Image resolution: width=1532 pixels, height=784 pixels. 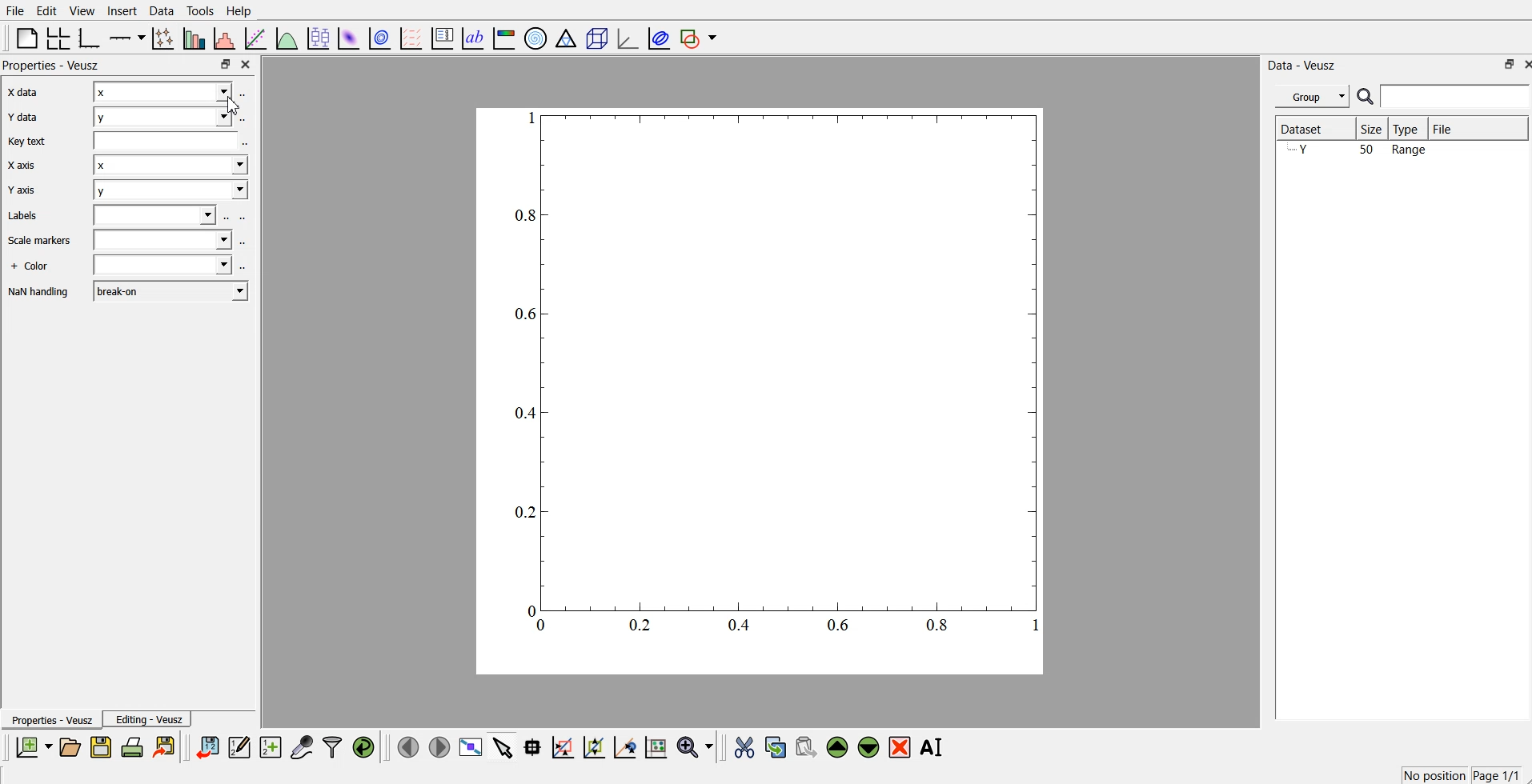 What do you see at coordinates (839, 747) in the screenshot?
I see `move the selected widgets up` at bounding box center [839, 747].